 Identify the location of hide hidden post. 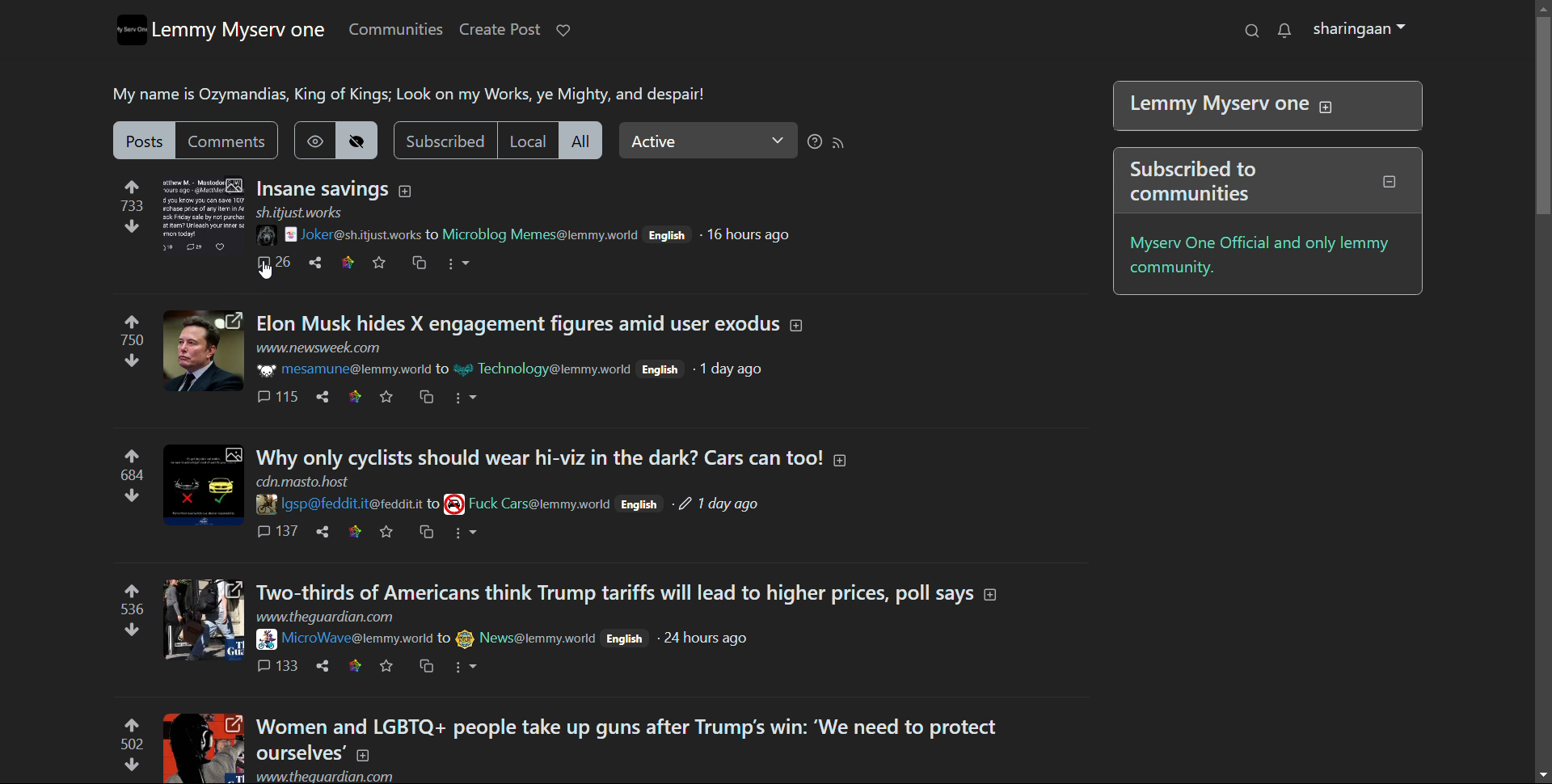
(356, 140).